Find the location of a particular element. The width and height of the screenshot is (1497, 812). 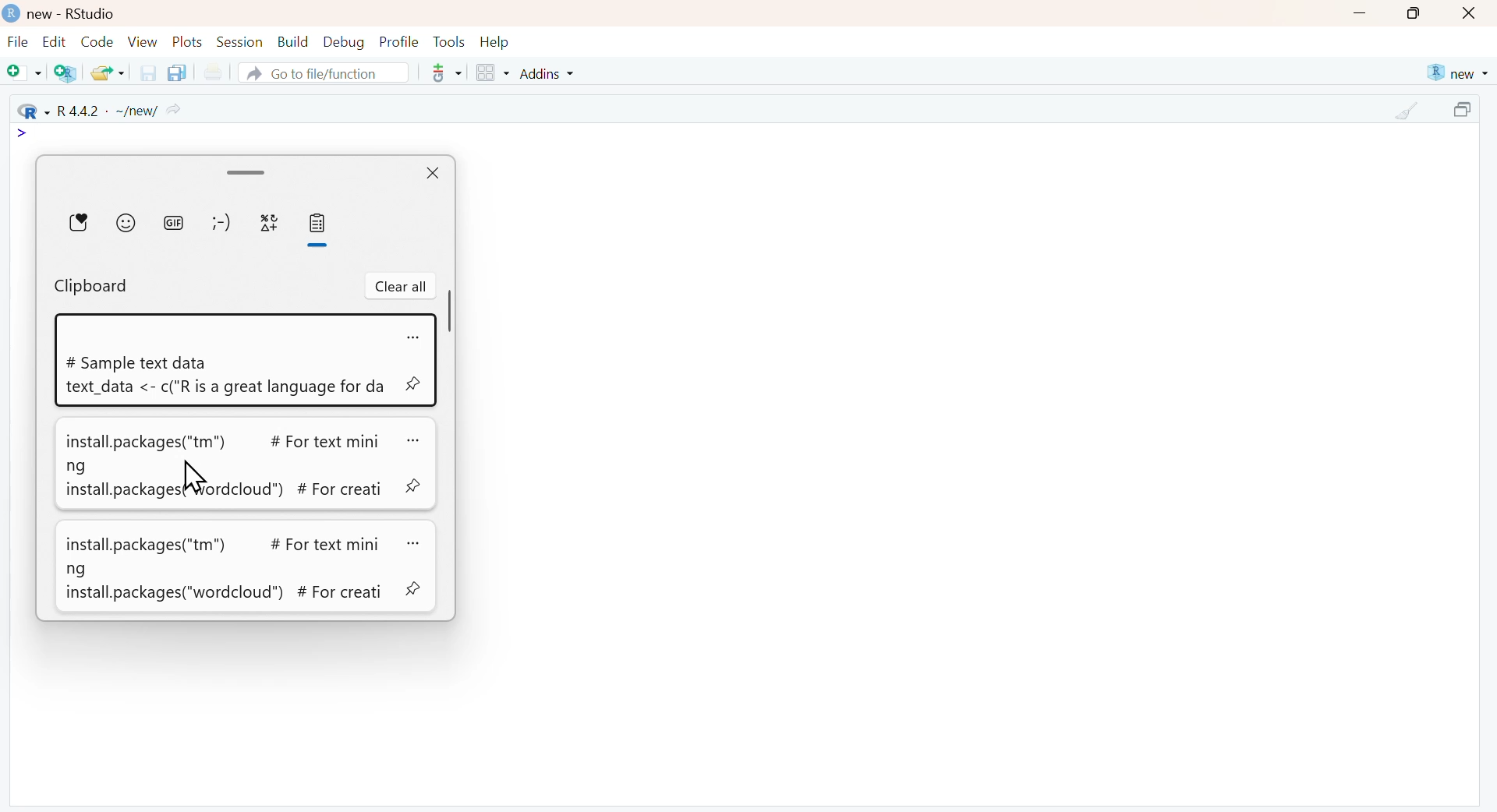

Favorite is located at coordinates (79, 222).